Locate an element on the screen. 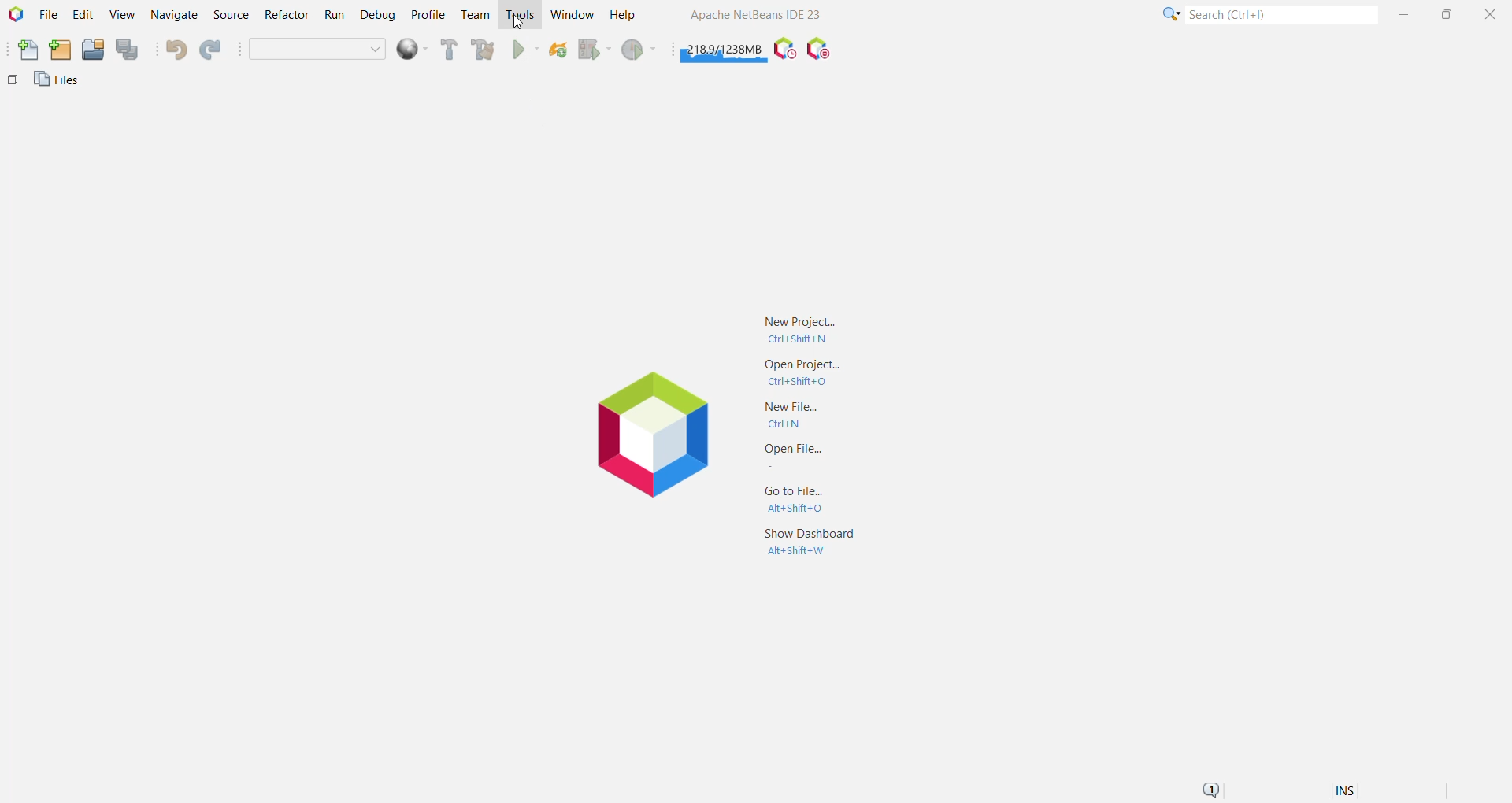 This screenshot has width=1512, height=803. Undo is located at coordinates (175, 50).